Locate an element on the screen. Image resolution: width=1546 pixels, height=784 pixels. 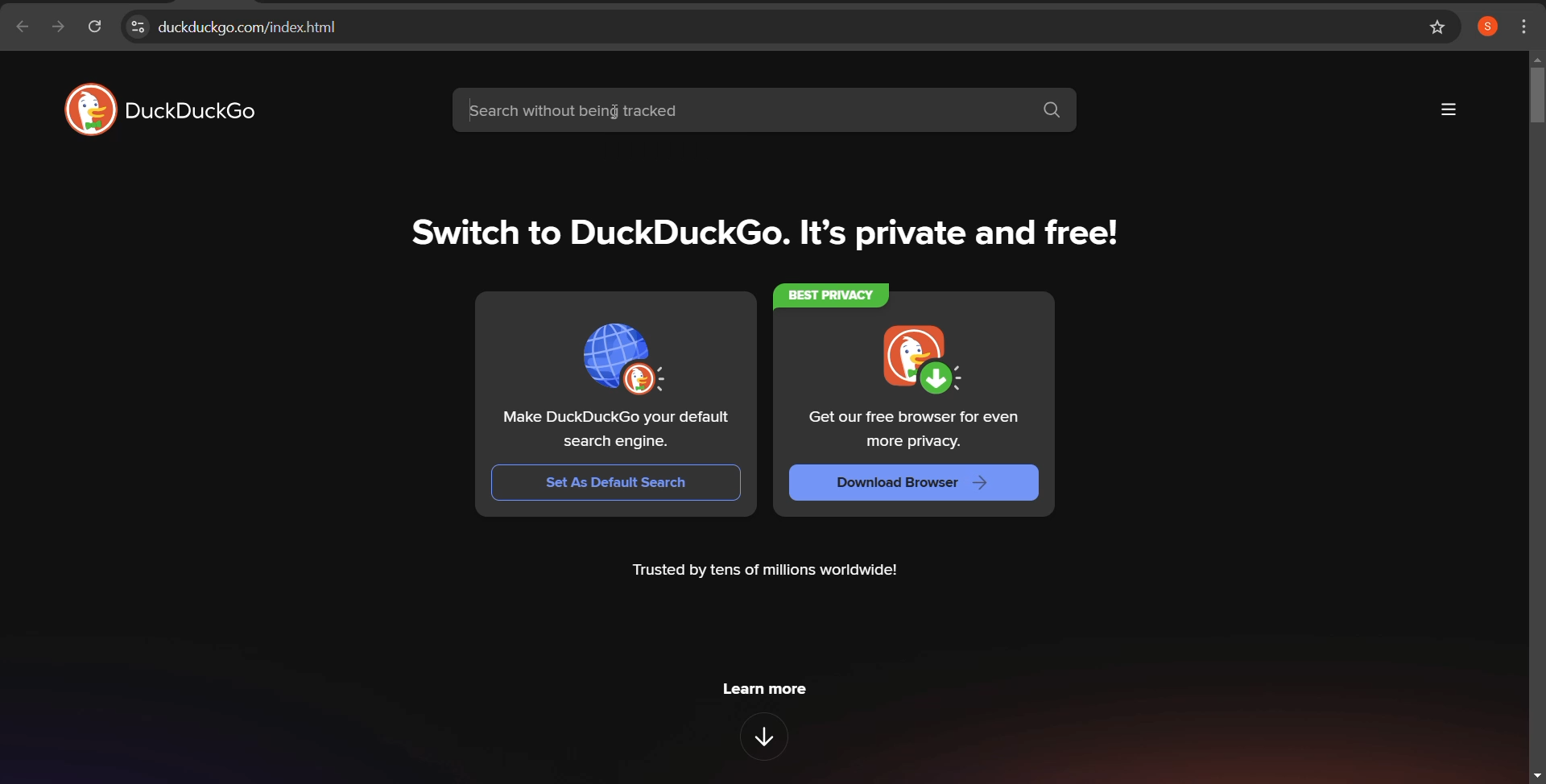
Get our free browser for even more privacy.  is located at coordinates (920, 430).